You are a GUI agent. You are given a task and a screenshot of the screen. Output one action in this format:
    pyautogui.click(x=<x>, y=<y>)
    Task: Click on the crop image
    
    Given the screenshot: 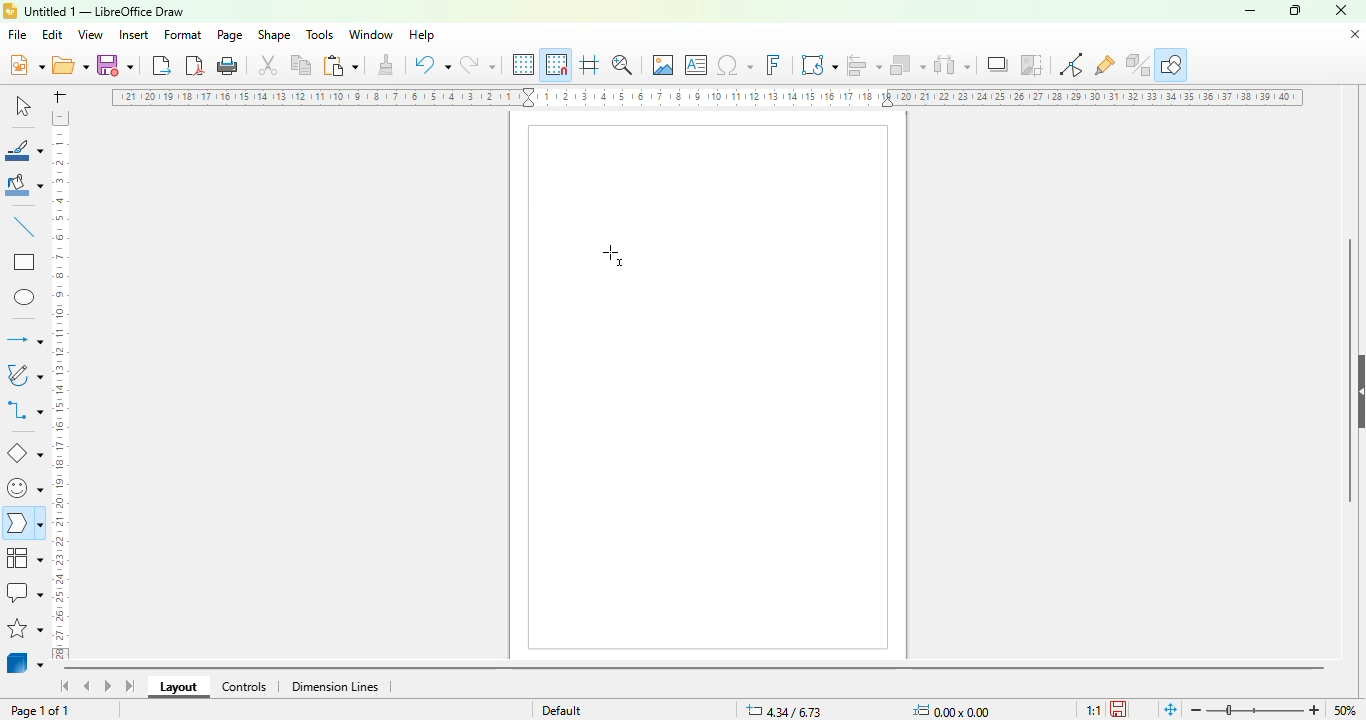 What is the action you would take?
    pyautogui.click(x=1031, y=64)
    